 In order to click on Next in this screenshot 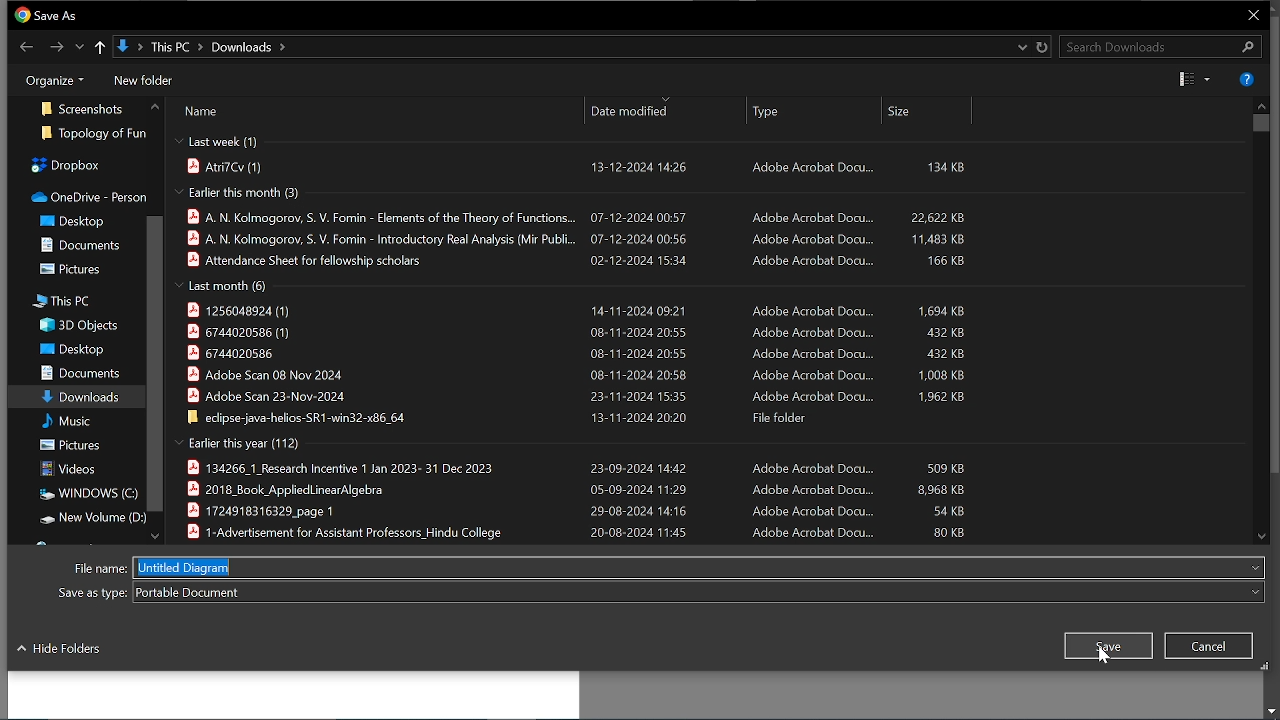, I will do `click(56, 46)`.